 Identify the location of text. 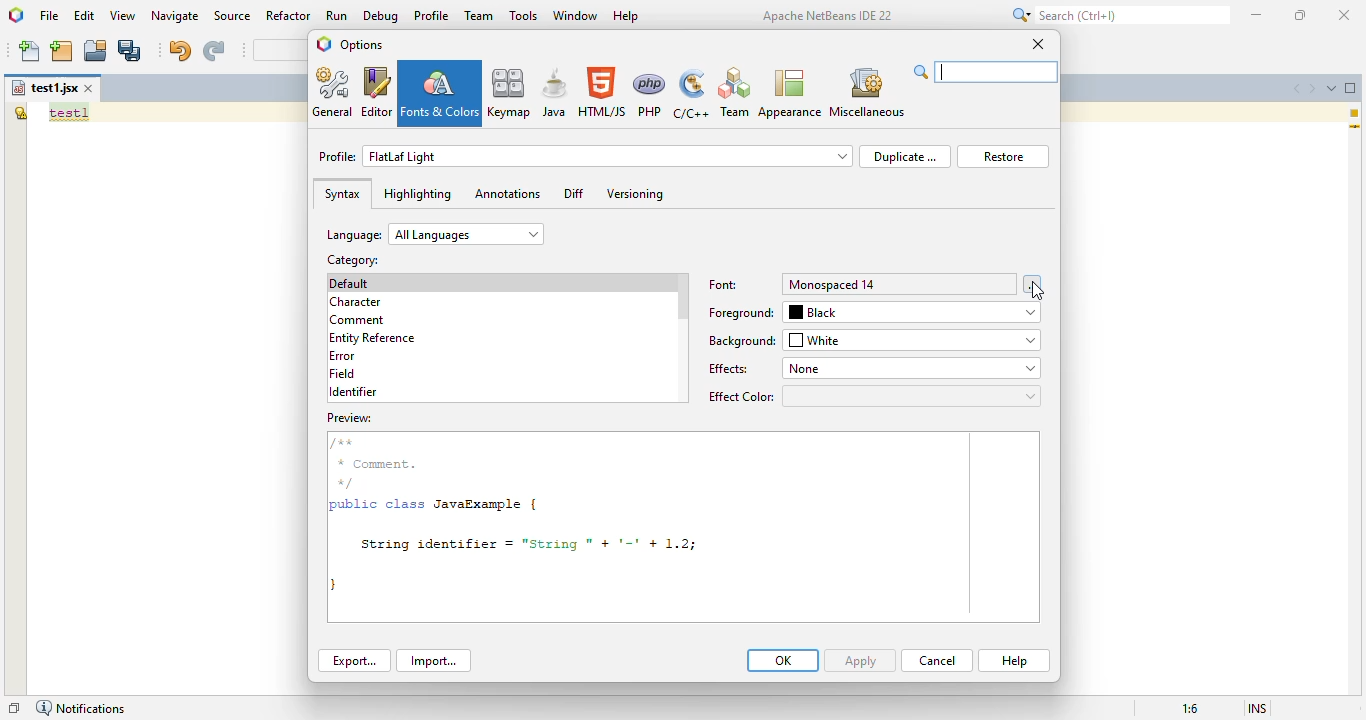
(69, 113).